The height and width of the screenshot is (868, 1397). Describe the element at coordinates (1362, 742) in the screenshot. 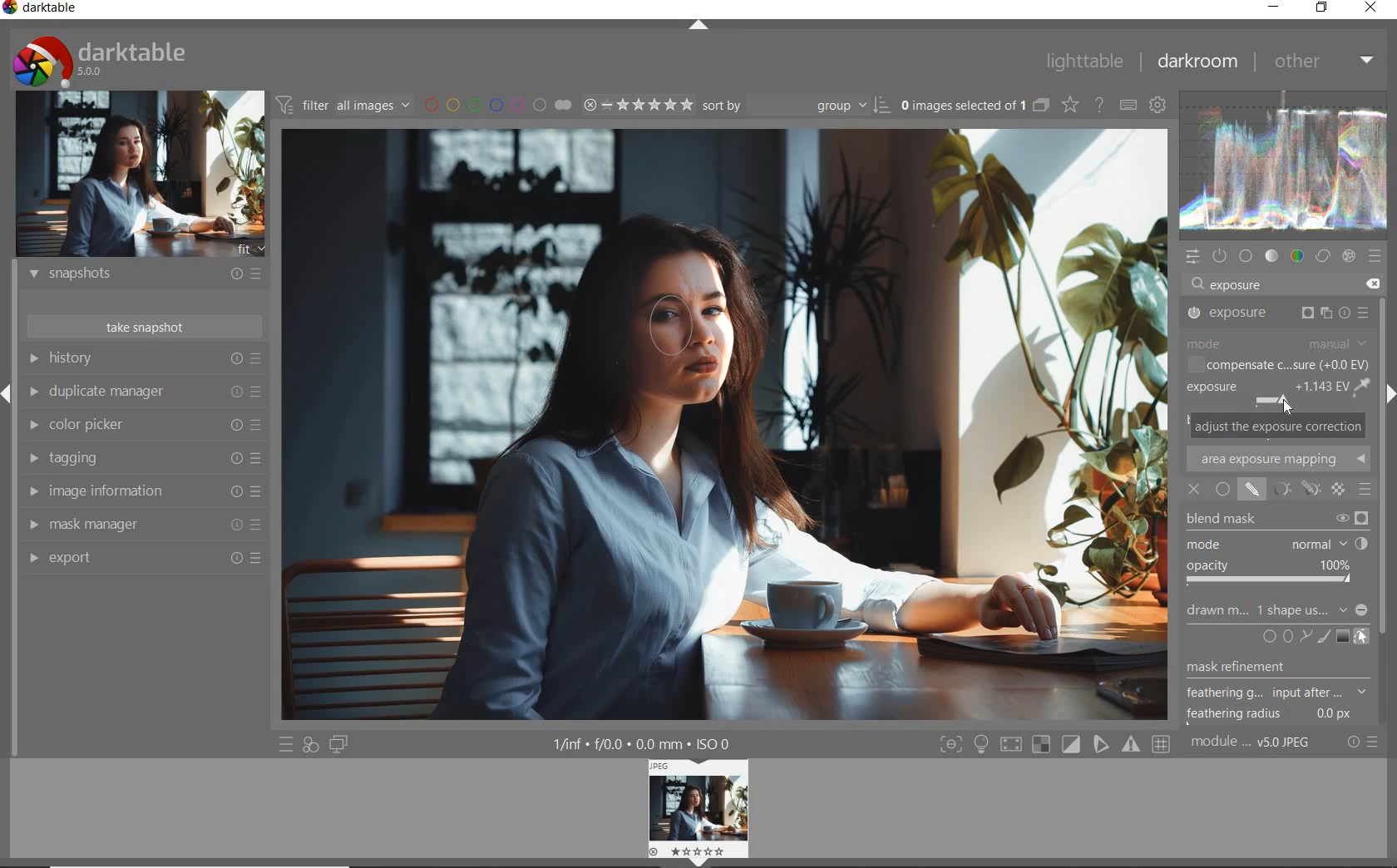

I see `reset or presets & preferences` at that location.